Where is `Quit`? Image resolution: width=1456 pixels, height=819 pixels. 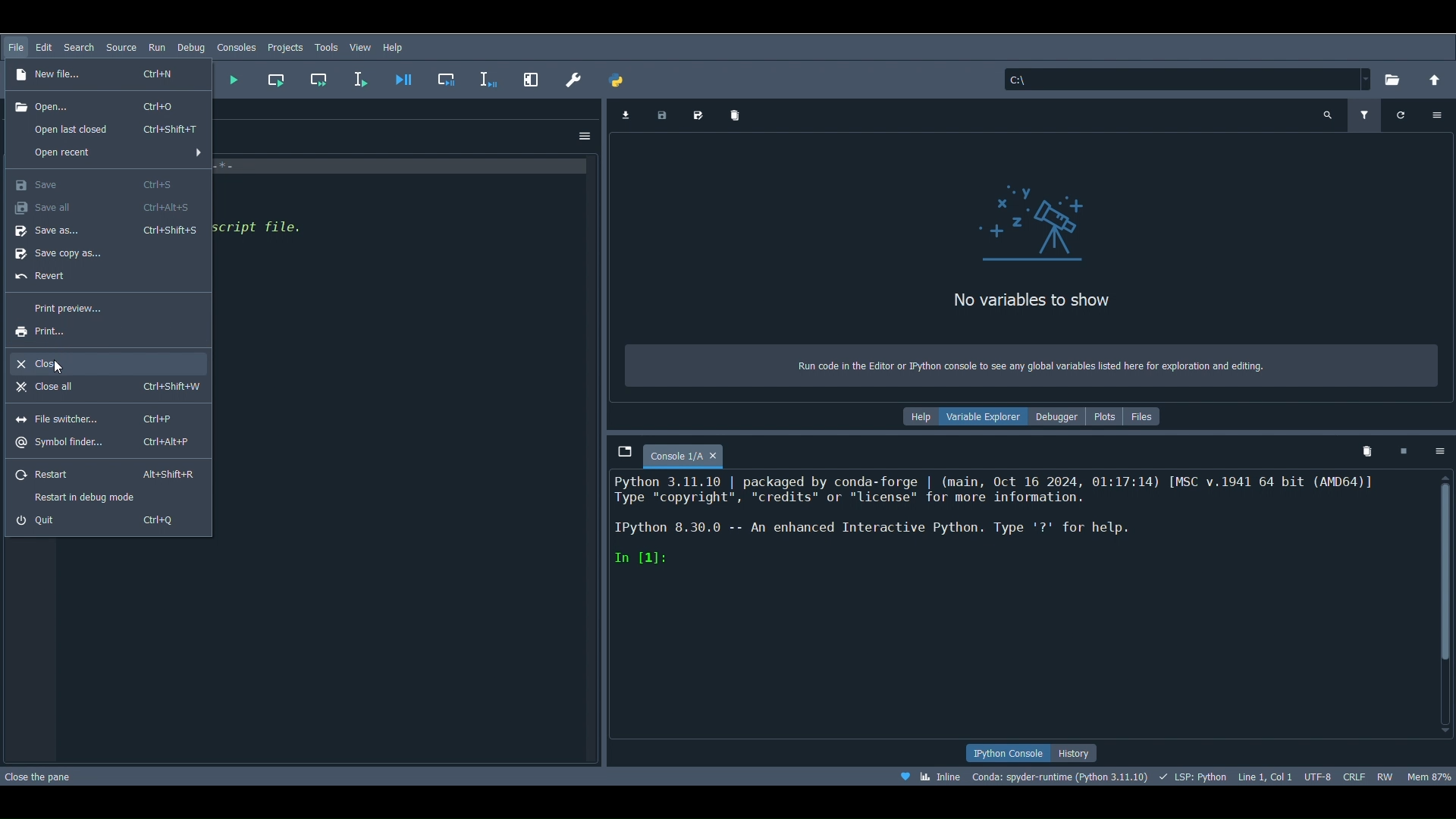 Quit is located at coordinates (101, 519).